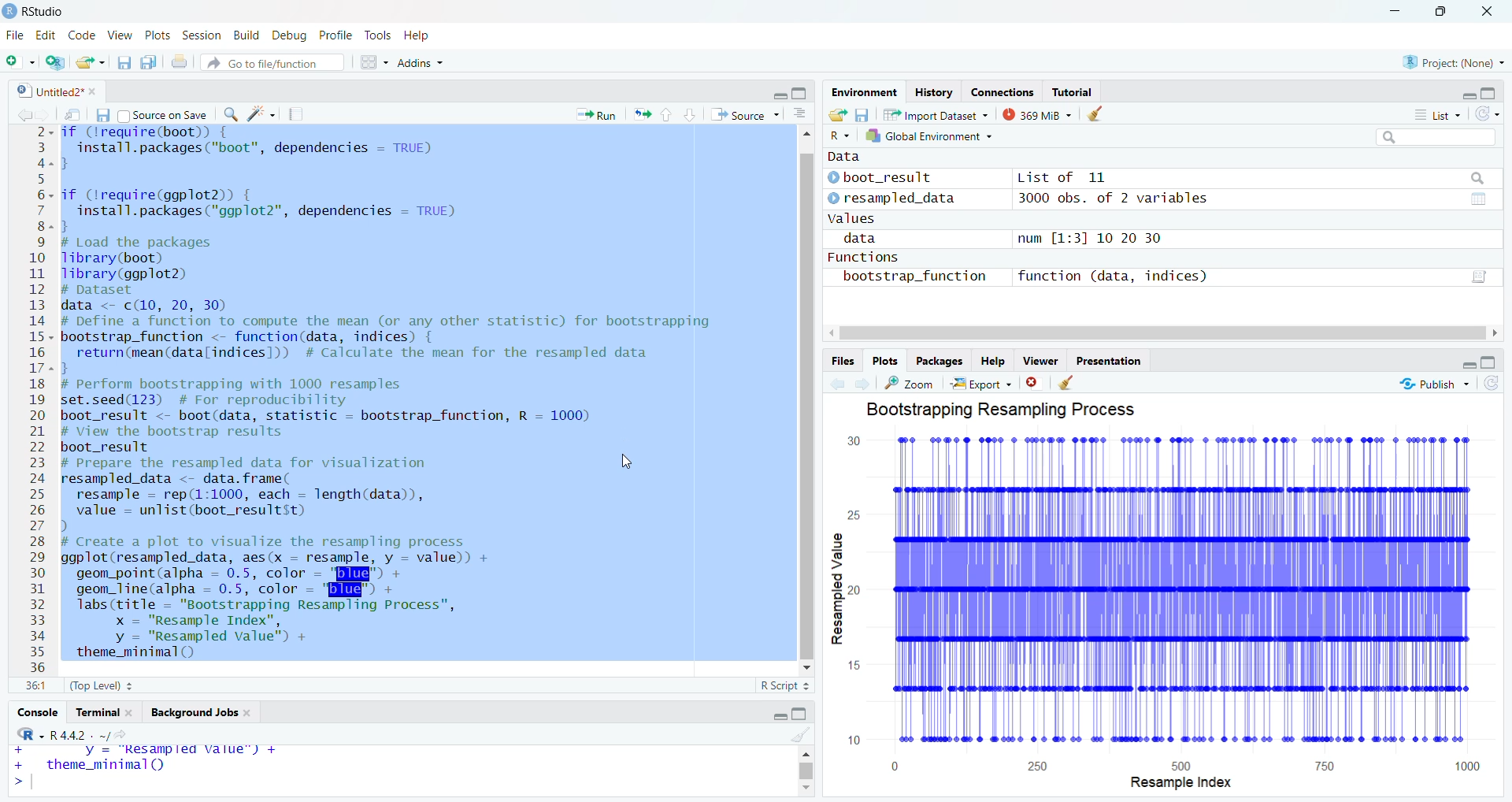 The width and height of the screenshot is (1512, 802). What do you see at coordinates (804, 399) in the screenshot?
I see `vertical scroll bar` at bounding box center [804, 399].